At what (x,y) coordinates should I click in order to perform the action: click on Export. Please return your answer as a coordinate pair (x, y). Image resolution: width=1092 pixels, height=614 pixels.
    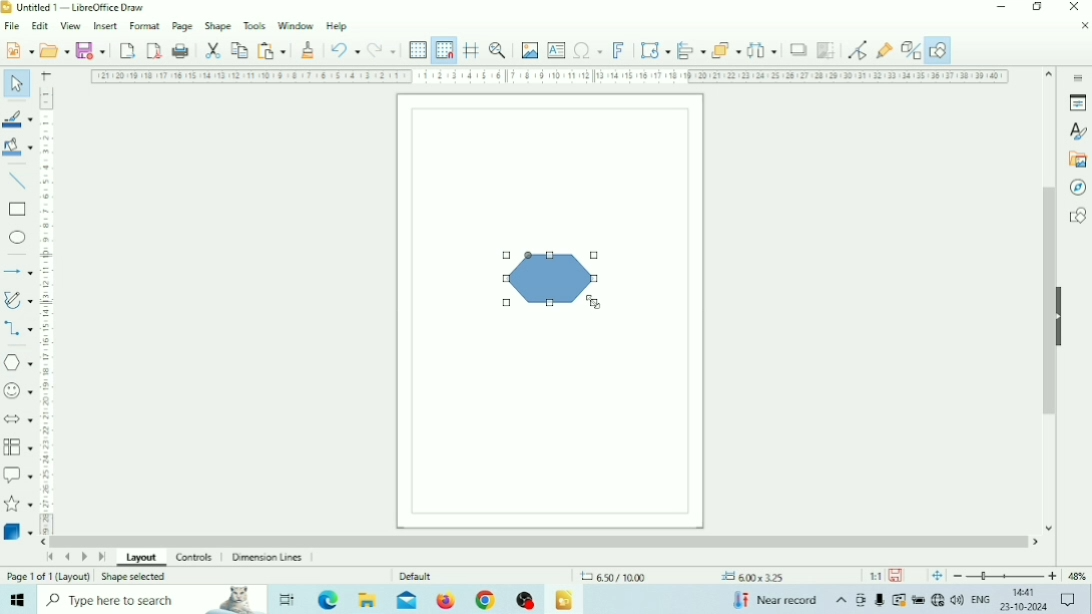
    Looking at the image, I should click on (127, 50).